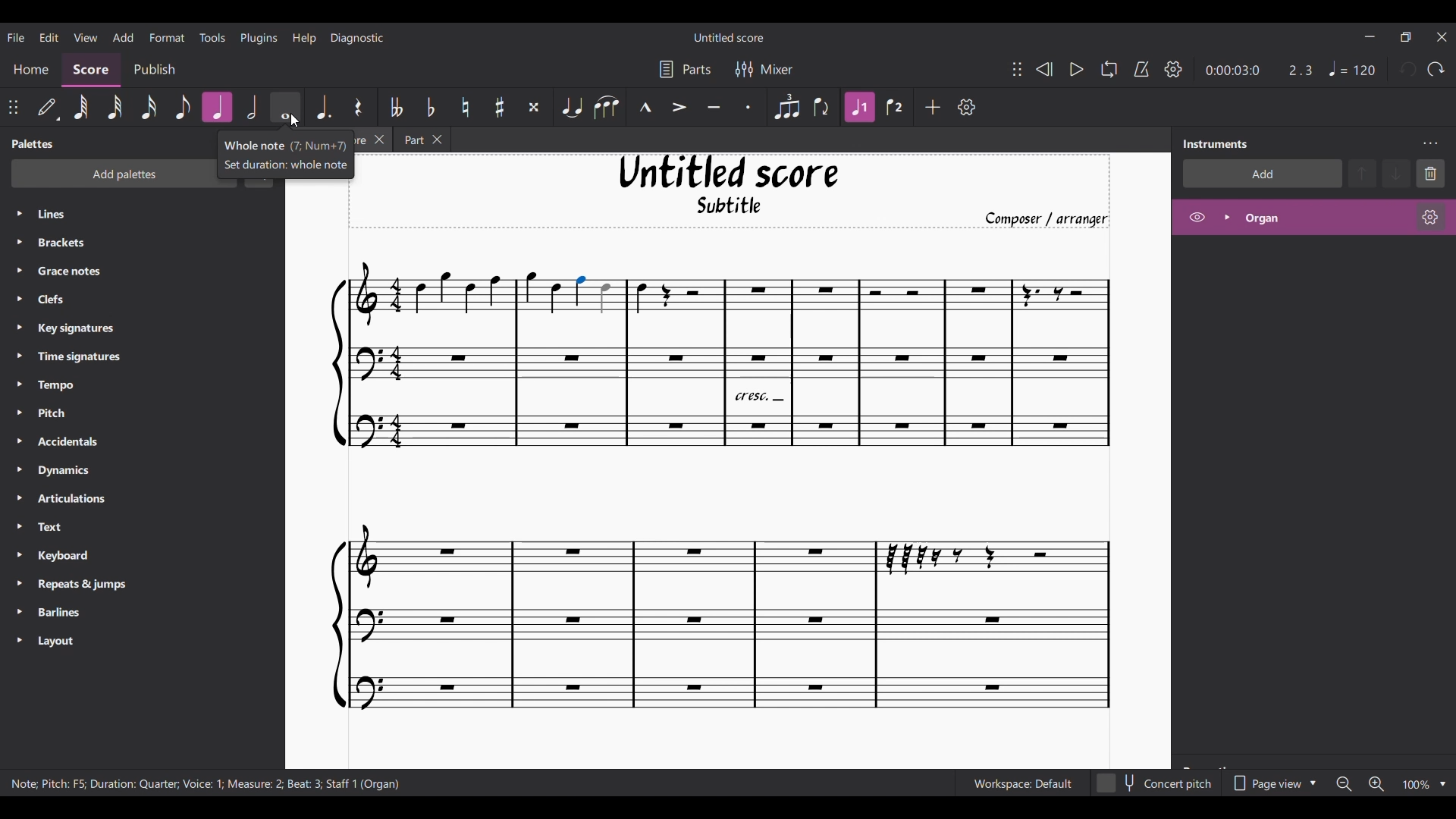 The width and height of the screenshot is (1456, 819). I want to click on Half note, so click(252, 108).